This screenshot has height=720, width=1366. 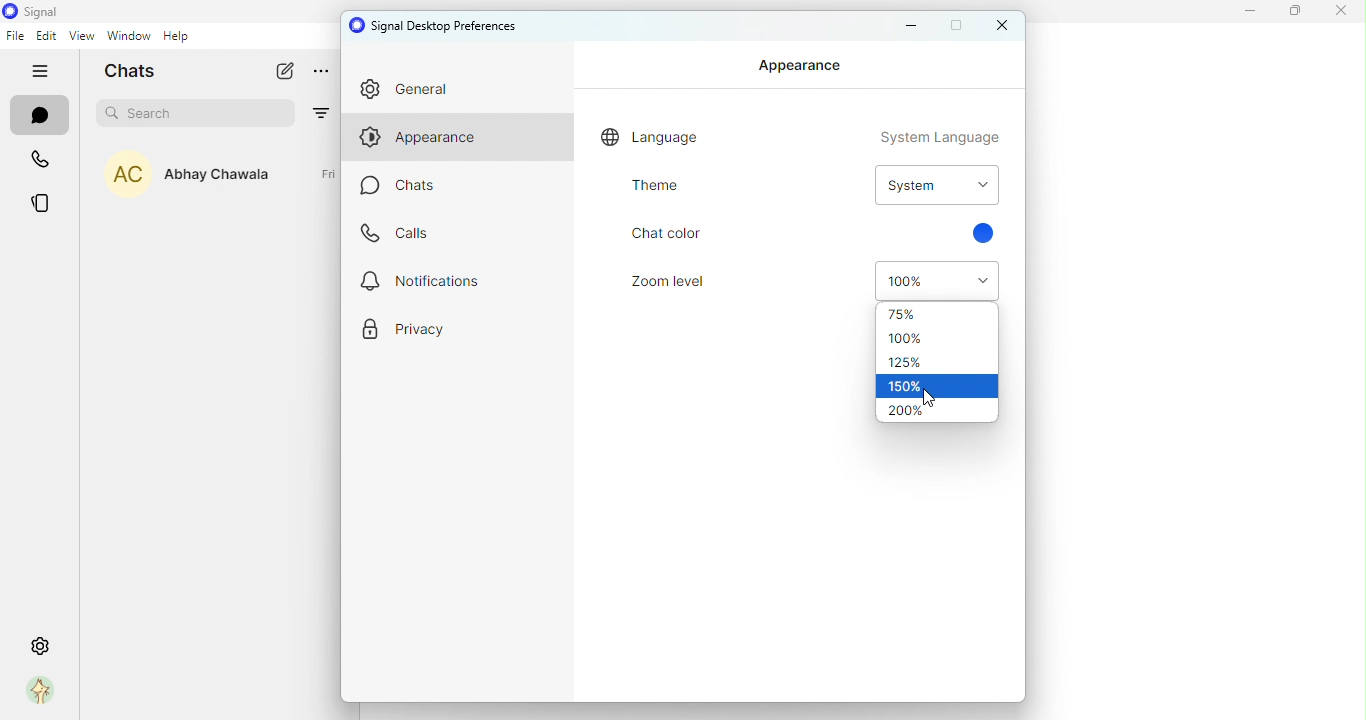 What do you see at coordinates (938, 412) in the screenshot?
I see `200%` at bounding box center [938, 412].